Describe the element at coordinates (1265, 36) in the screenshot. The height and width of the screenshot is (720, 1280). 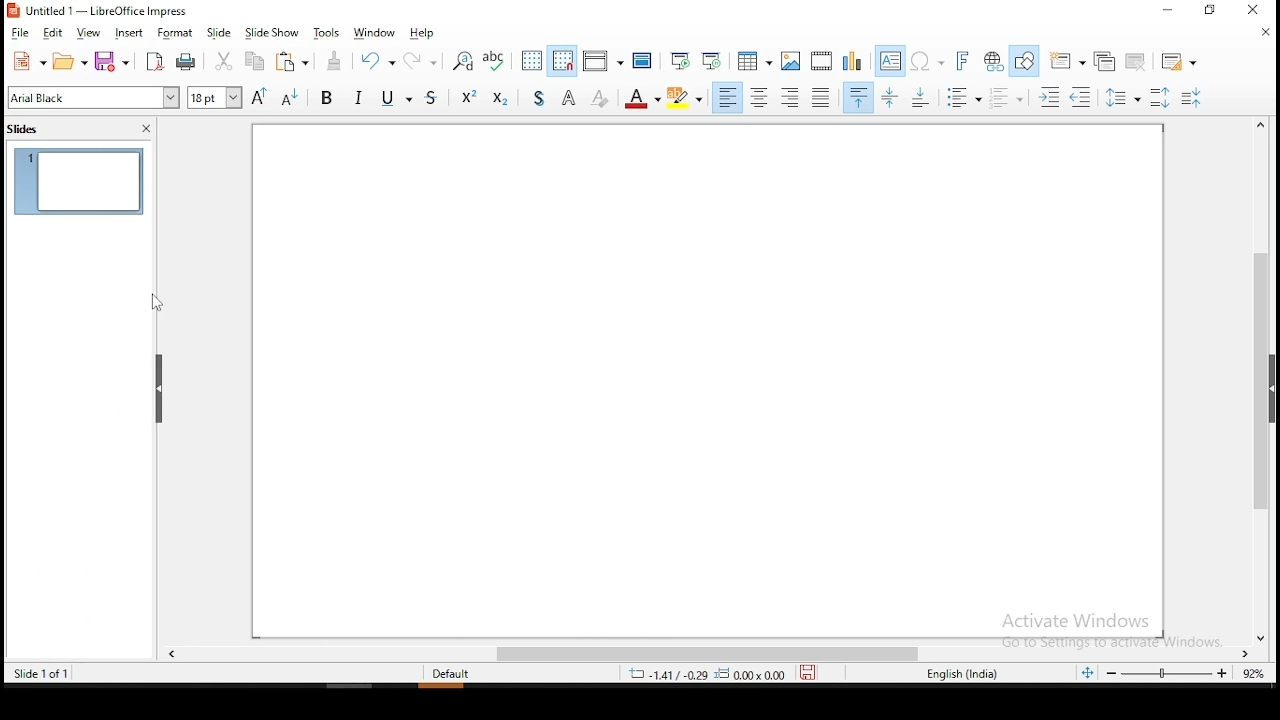
I see `close` at that location.